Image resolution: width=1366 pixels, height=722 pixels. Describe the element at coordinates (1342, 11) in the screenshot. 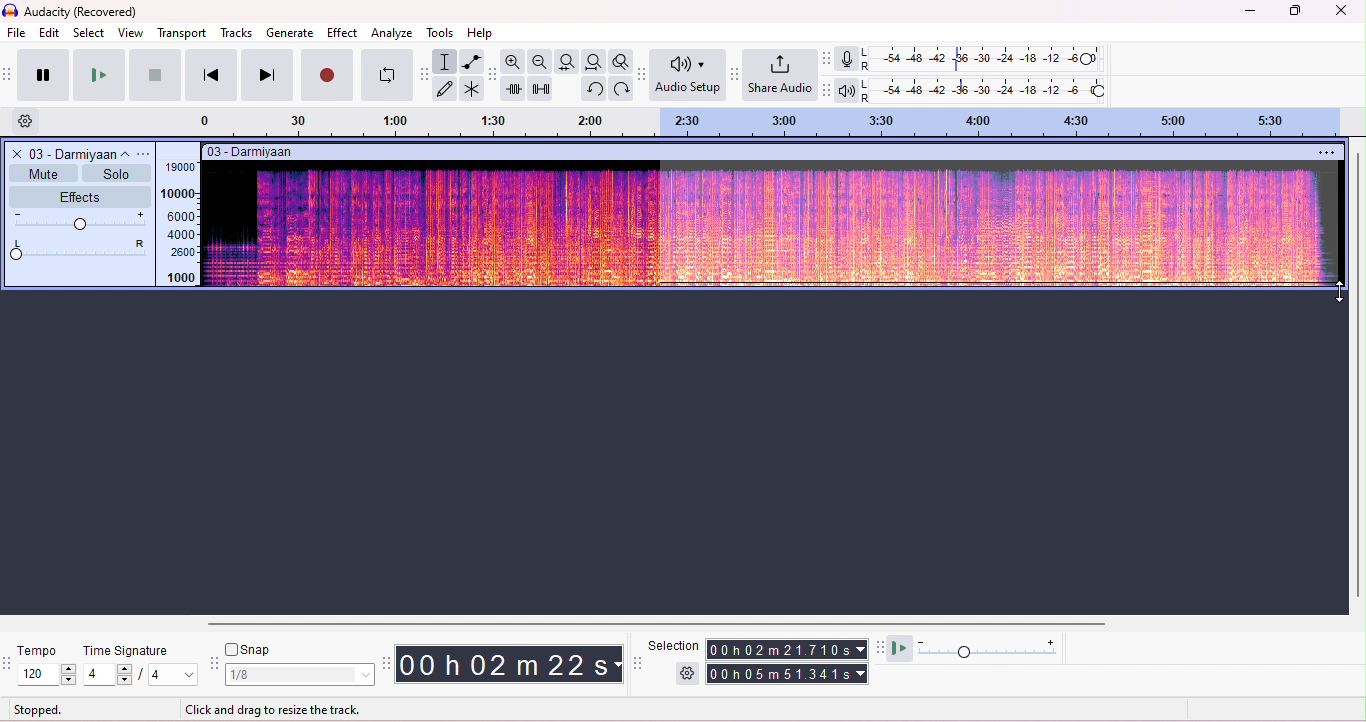

I see `close` at that location.